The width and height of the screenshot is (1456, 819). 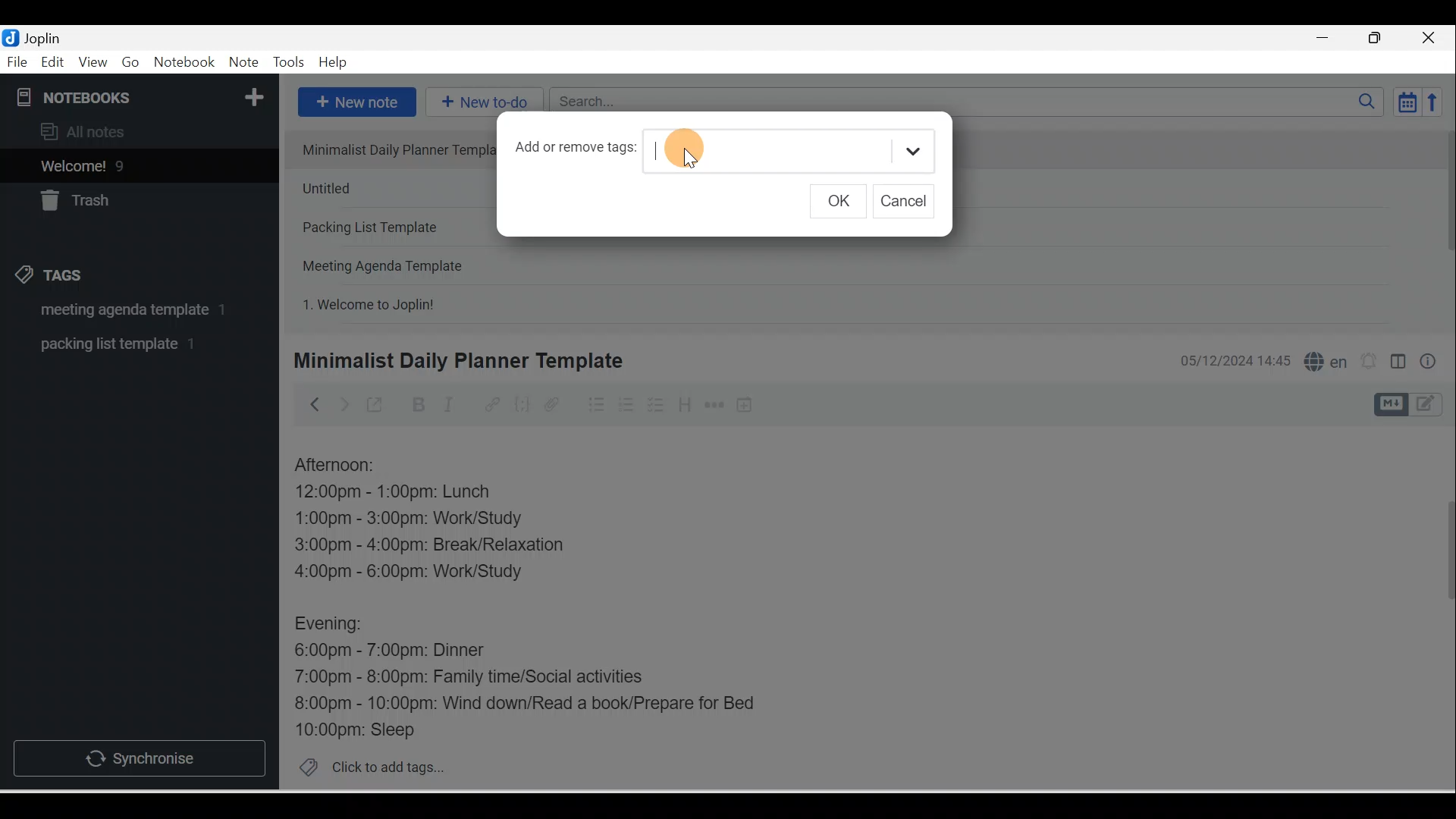 What do you see at coordinates (242, 63) in the screenshot?
I see `Note` at bounding box center [242, 63].